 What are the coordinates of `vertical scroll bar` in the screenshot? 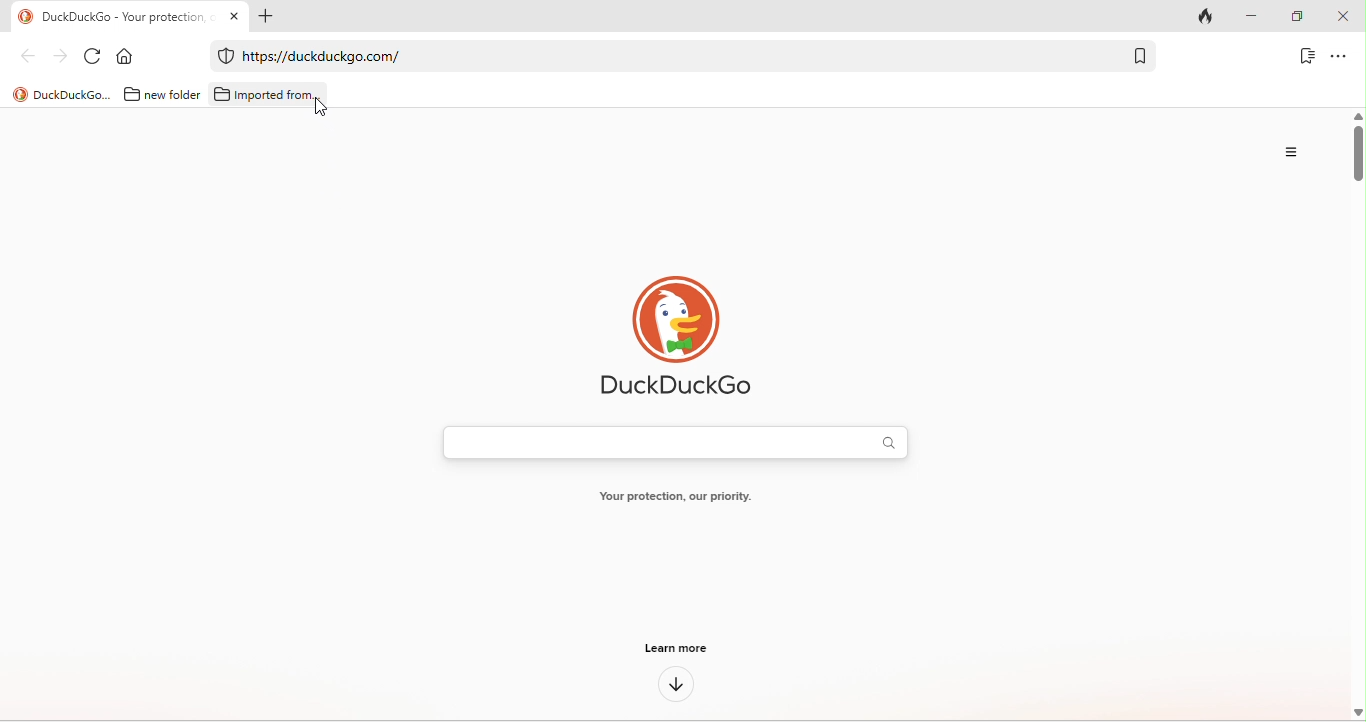 It's located at (1357, 152).